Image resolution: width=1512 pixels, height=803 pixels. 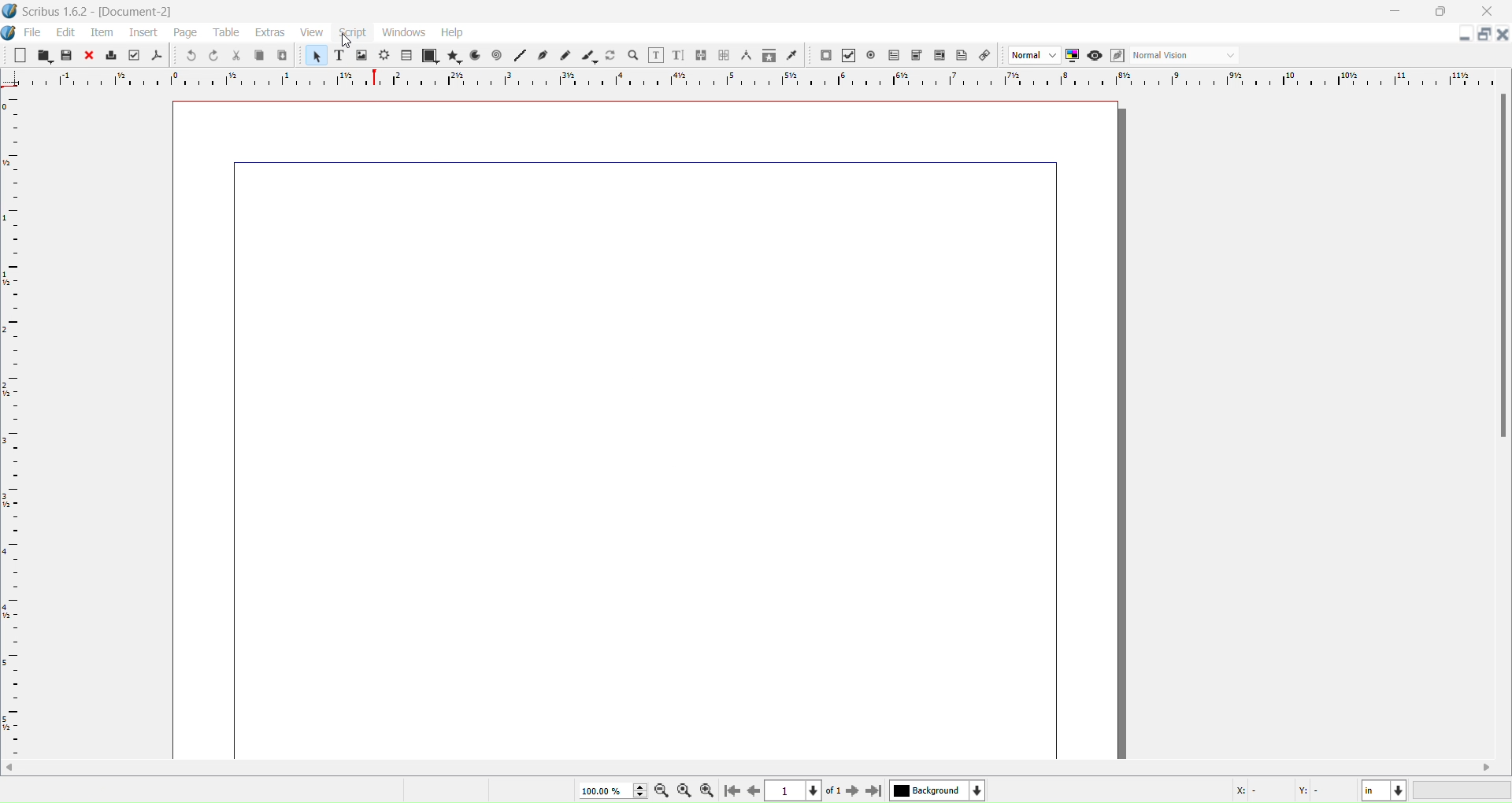 I want to click on Help, so click(x=454, y=32).